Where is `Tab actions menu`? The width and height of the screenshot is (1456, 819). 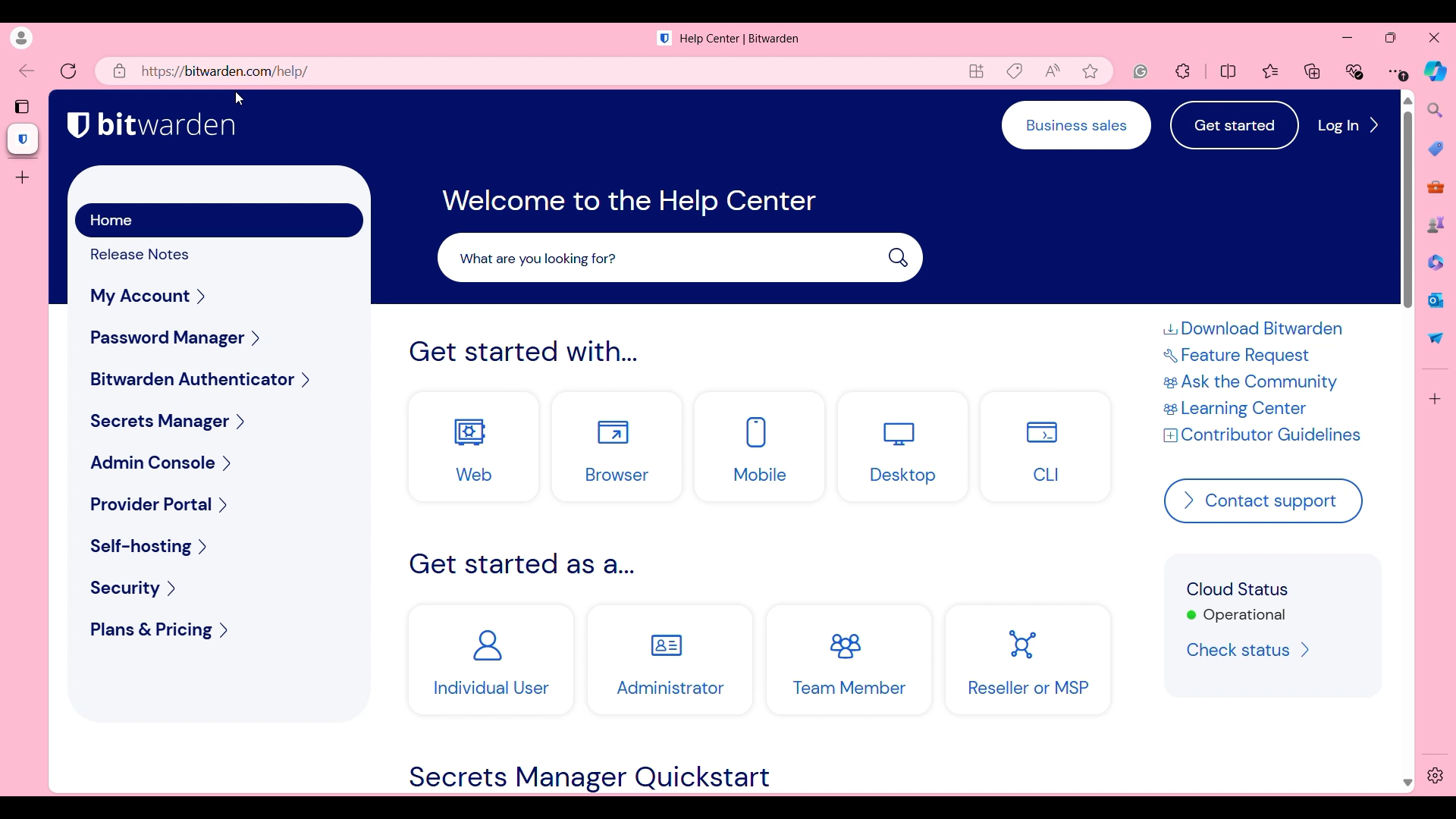 Tab actions menu is located at coordinates (24, 106).